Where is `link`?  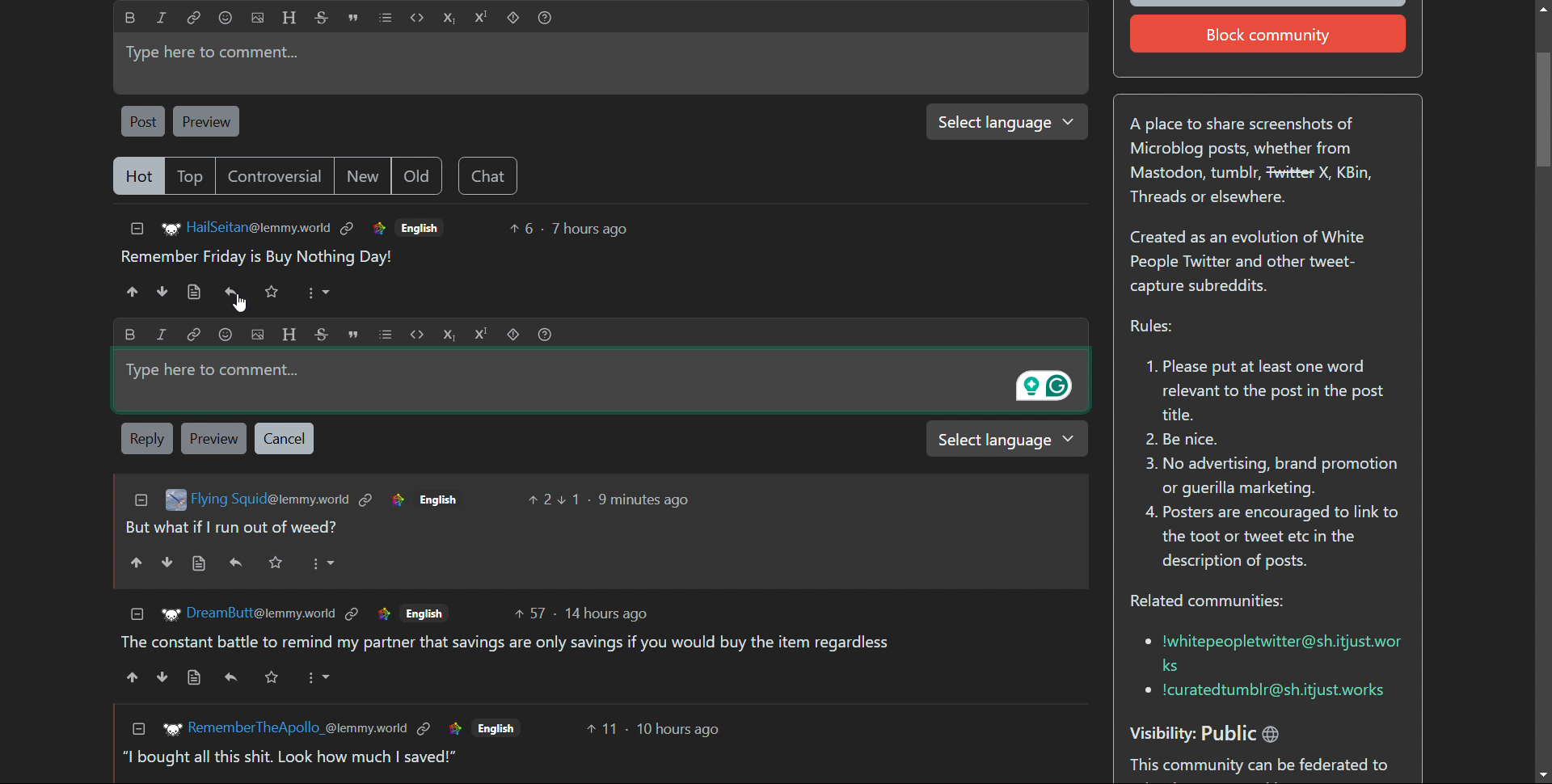
link is located at coordinates (367, 502).